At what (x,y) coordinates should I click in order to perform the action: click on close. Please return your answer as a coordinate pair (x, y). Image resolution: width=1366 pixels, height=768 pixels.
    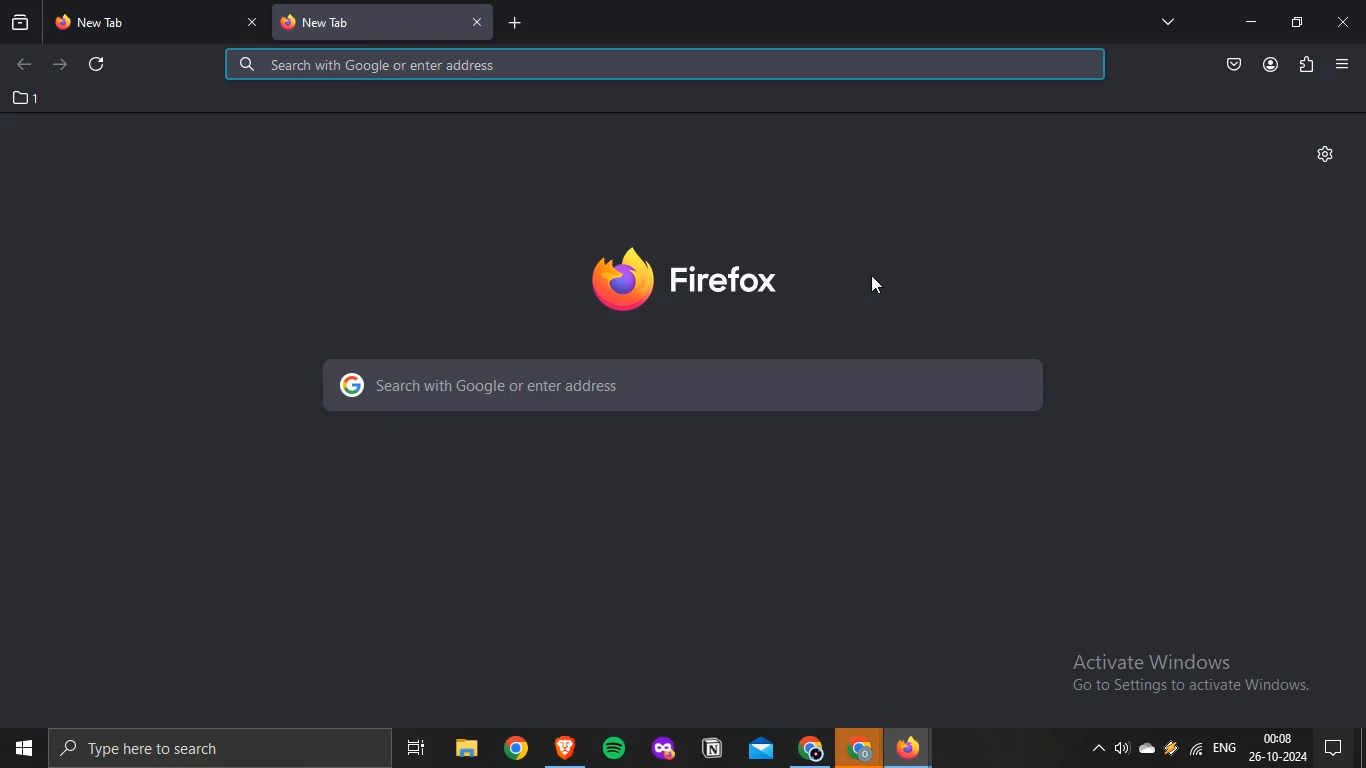
    Looking at the image, I should click on (1344, 24).